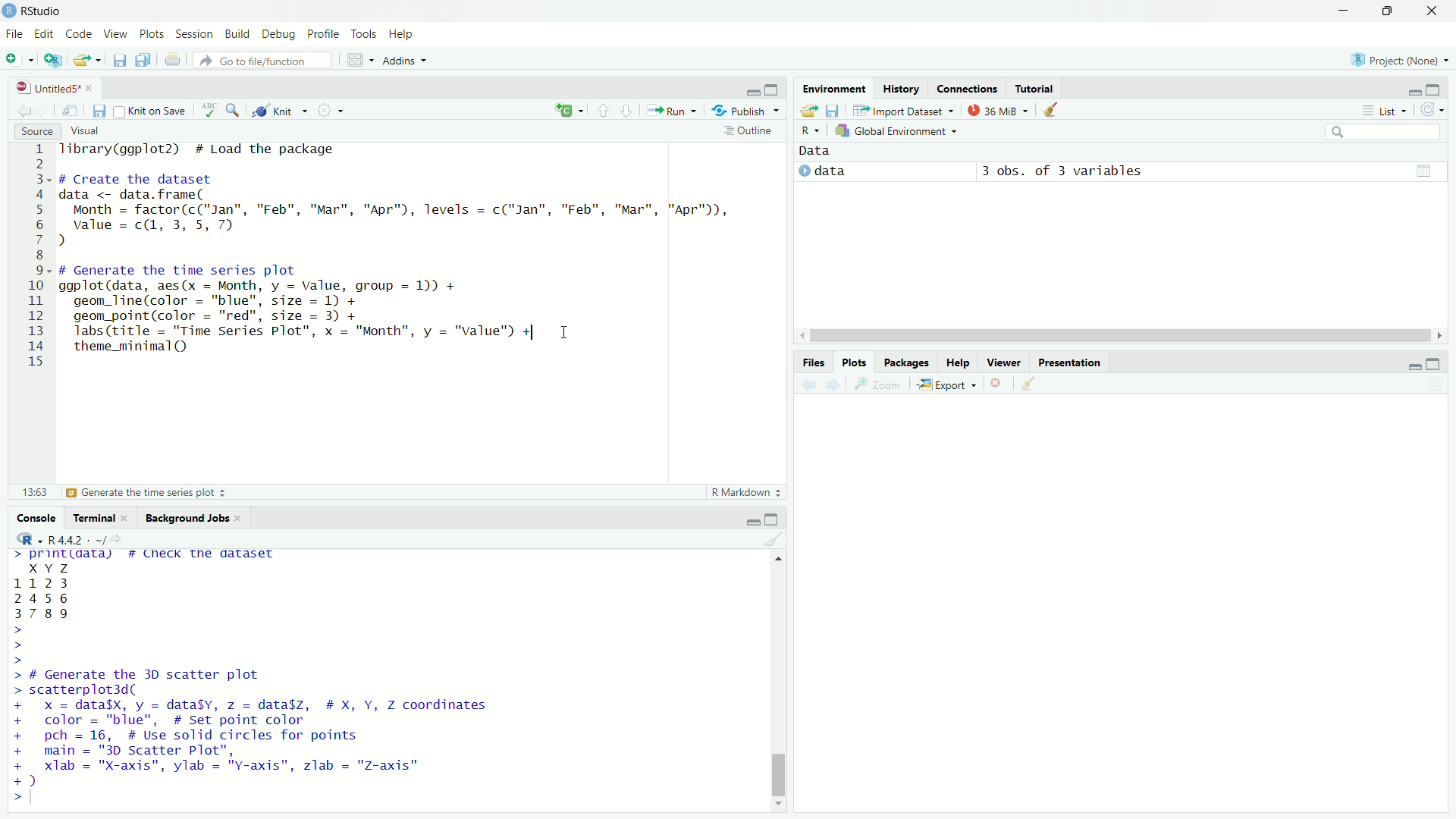  What do you see at coordinates (1345, 10) in the screenshot?
I see `minimize` at bounding box center [1345, 10].